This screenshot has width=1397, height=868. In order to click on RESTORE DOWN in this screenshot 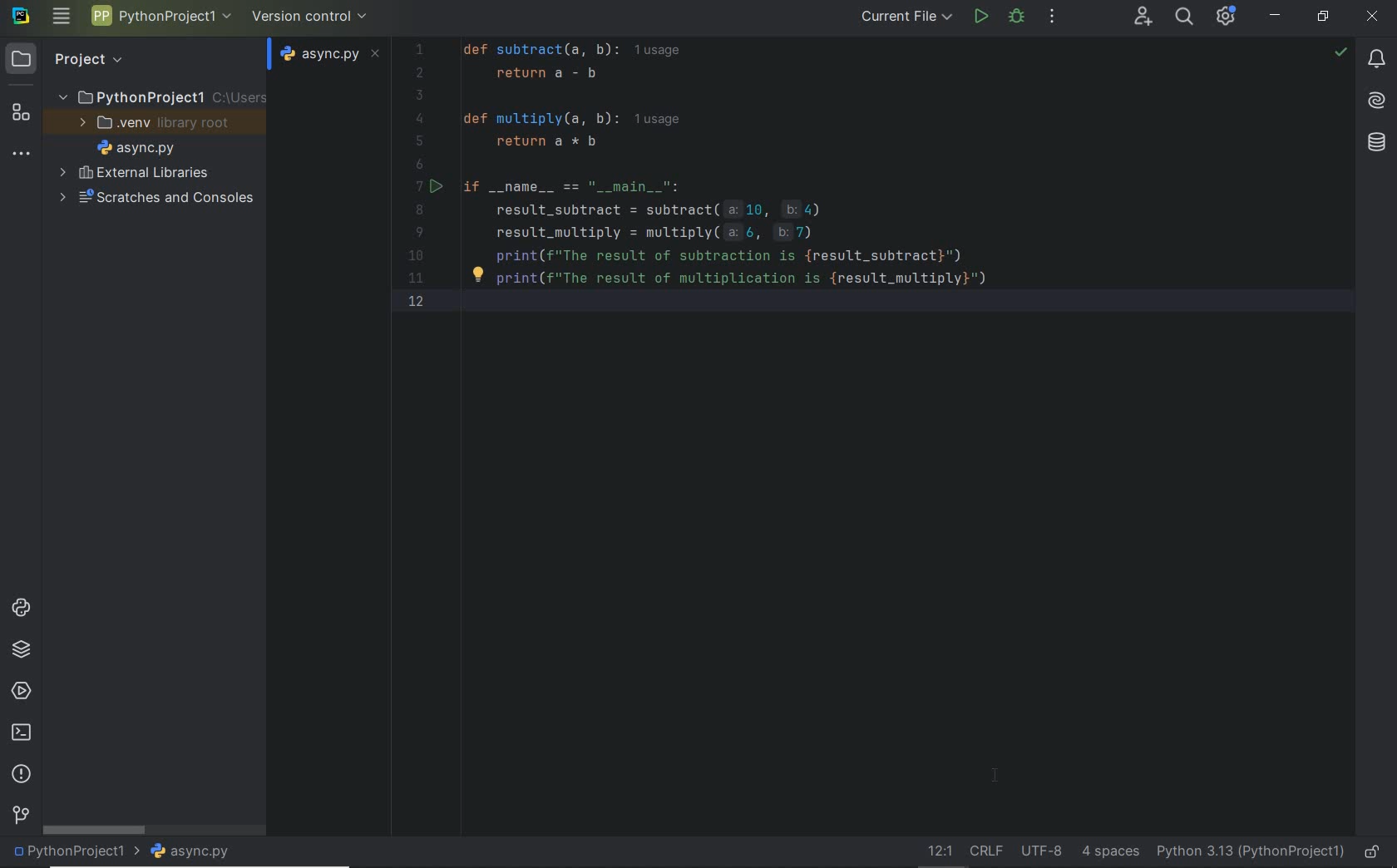, I will do `click(1323, 18)`.